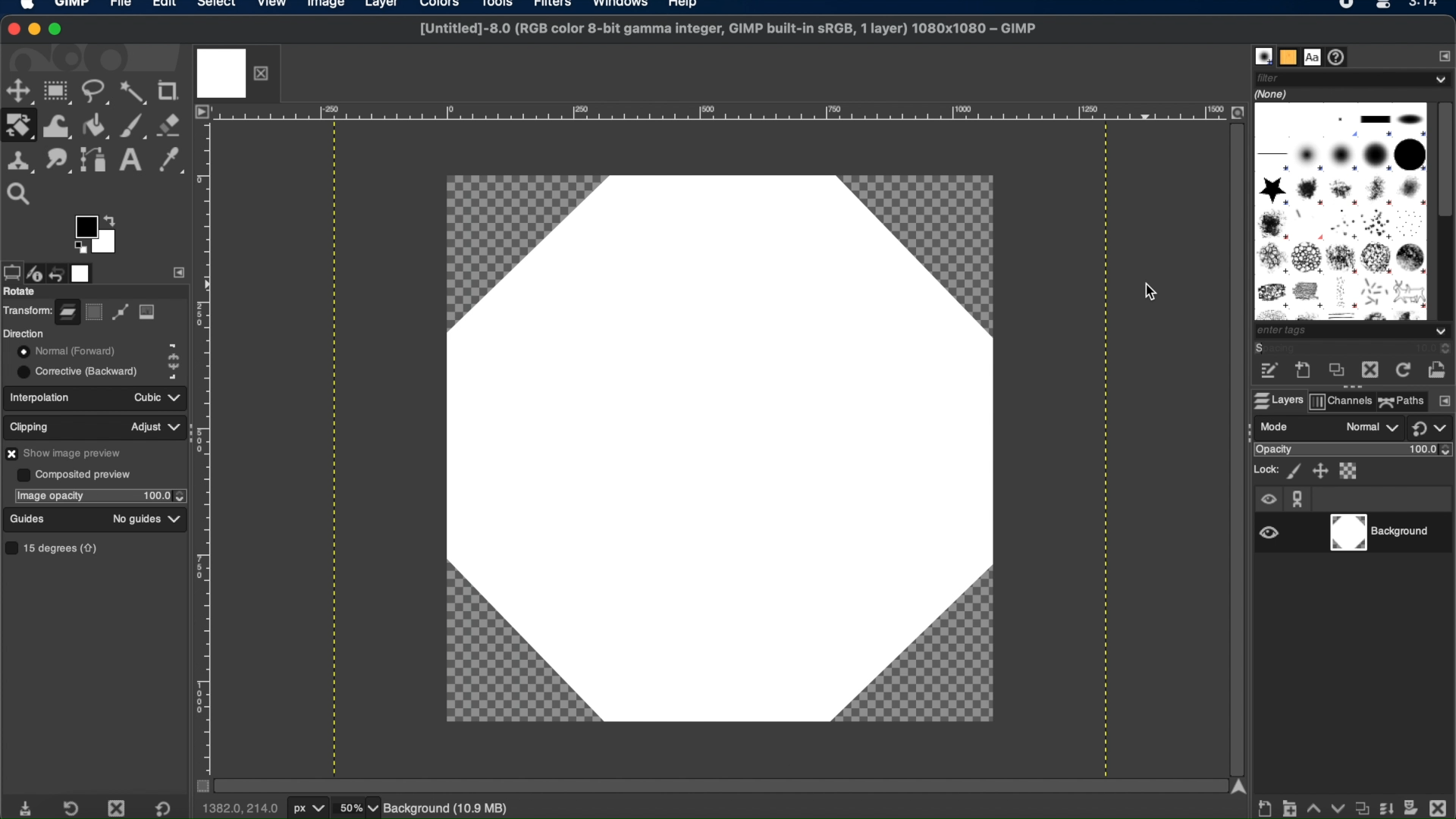 The height and width of the screenshot is (819, 1456). Describe the element at coordinates (1370, 370) in the screenshot. I see `delete this brush` at that location.